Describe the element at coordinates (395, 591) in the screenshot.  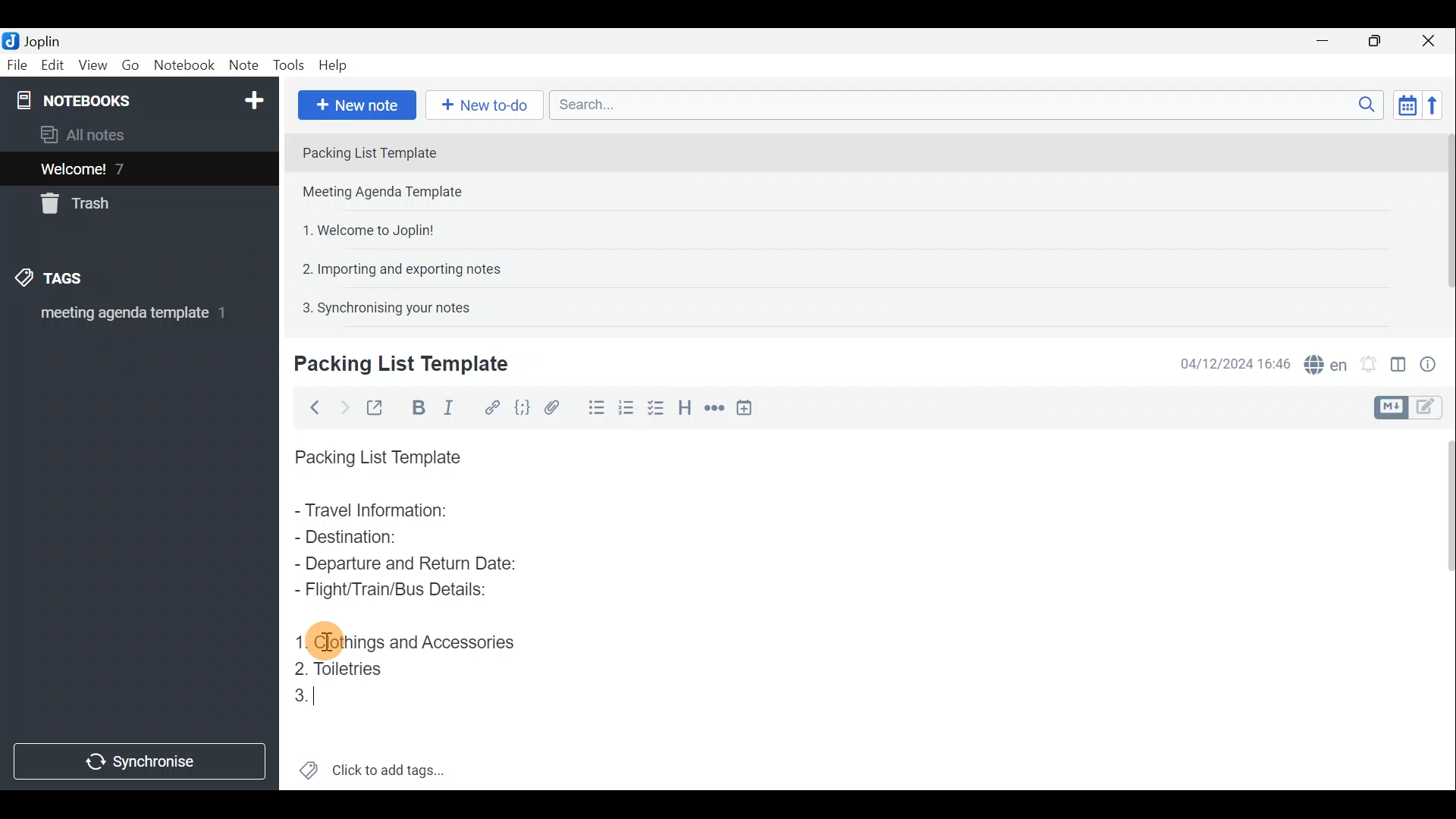
I see `Flight/Train/Bus Details:` at that location.